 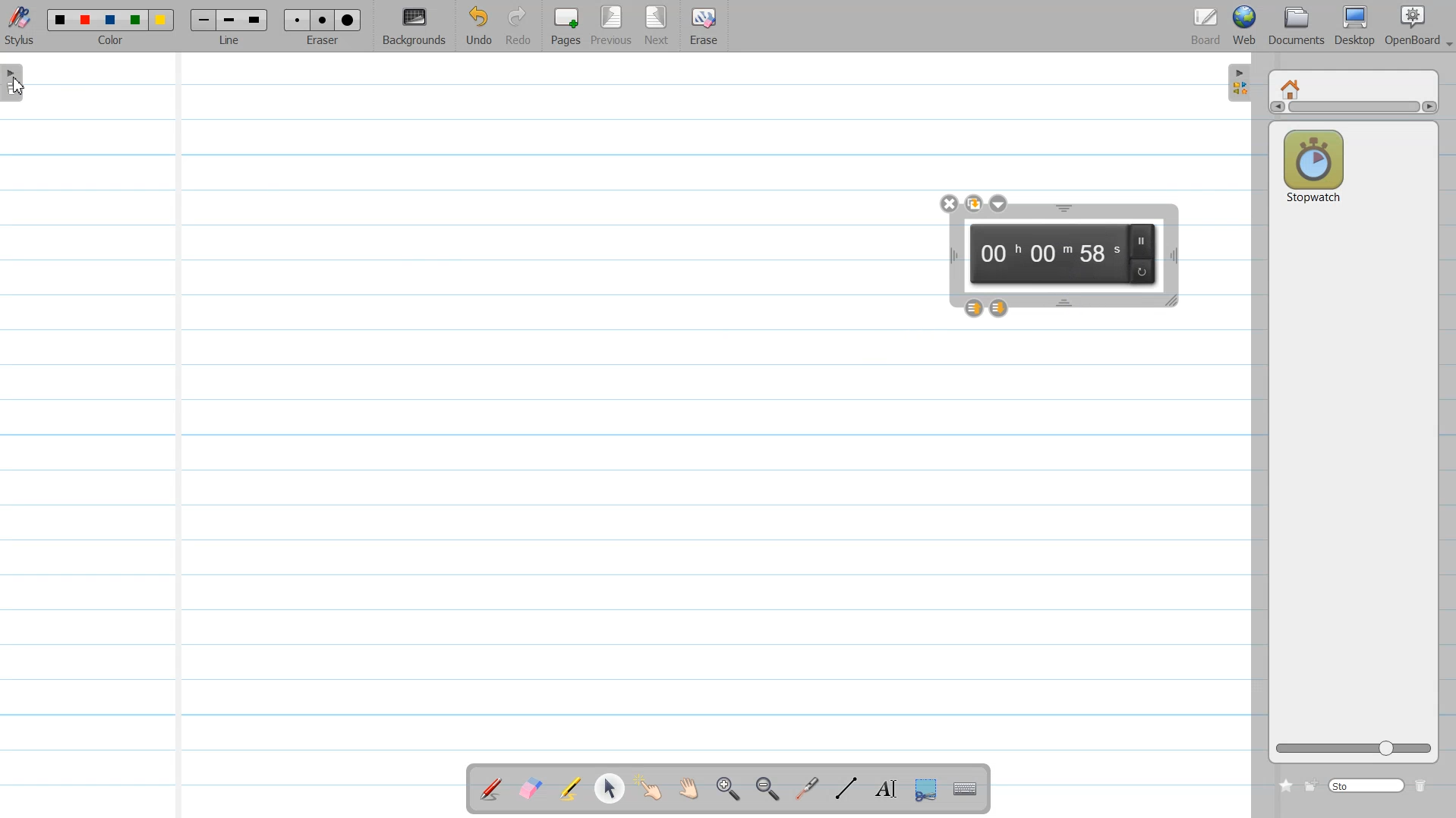 What do you see at coordinates (1064, 209) in the screenshot?
I see `Time window Hight adjustment window ` at bounding box center [1064, 209].